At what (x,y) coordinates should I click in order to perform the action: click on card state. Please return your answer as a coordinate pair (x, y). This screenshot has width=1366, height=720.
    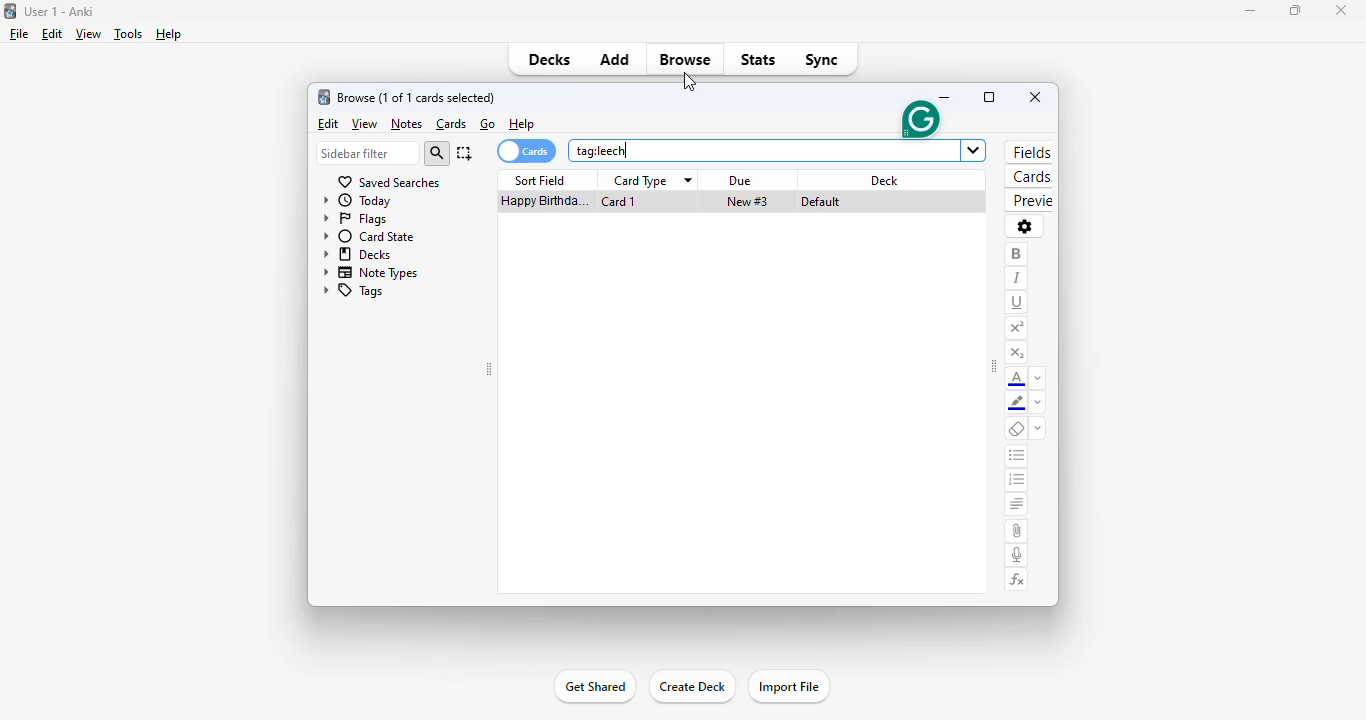
    Looking at the image, I should click on (367, 236).